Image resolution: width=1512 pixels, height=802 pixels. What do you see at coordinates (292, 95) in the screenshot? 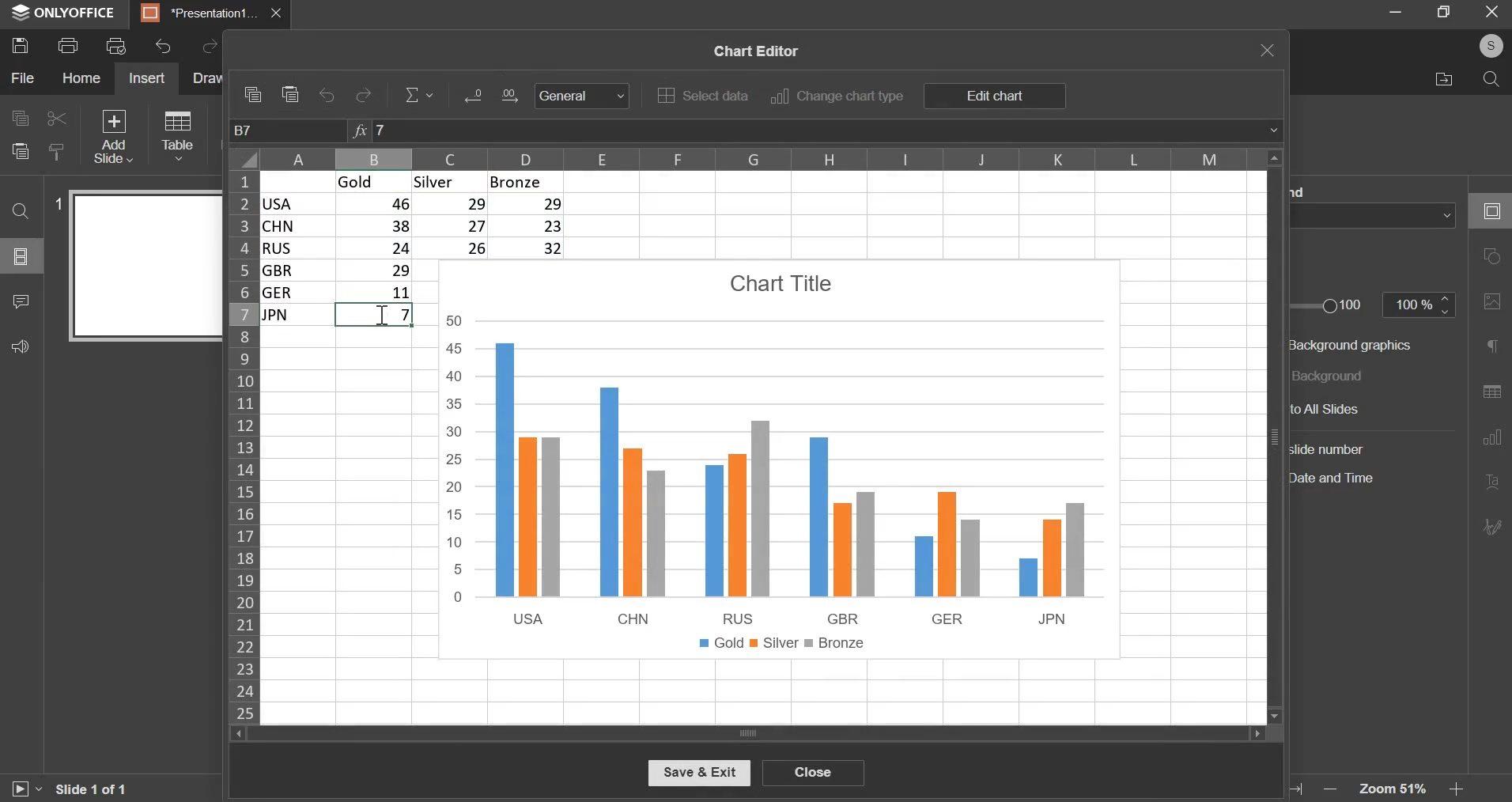
I see `paste` at bounding box center [292, 95].